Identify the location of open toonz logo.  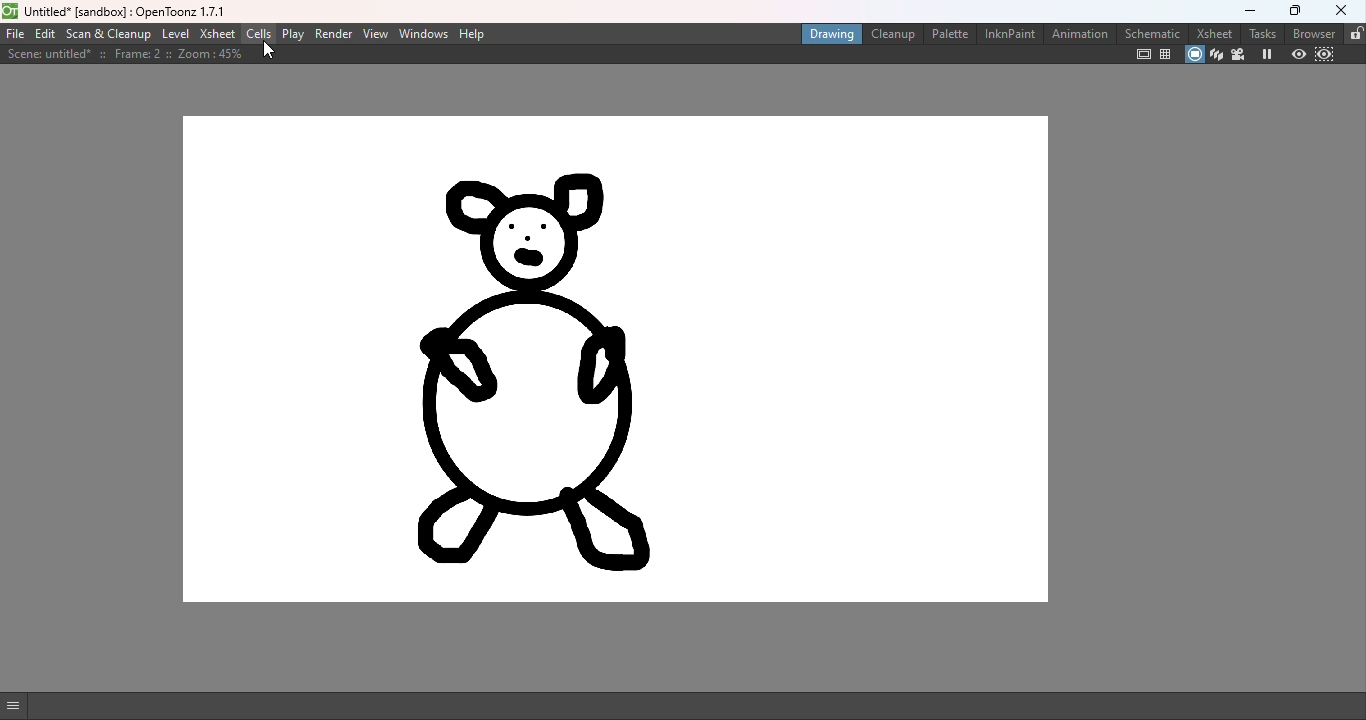
(9, 10).